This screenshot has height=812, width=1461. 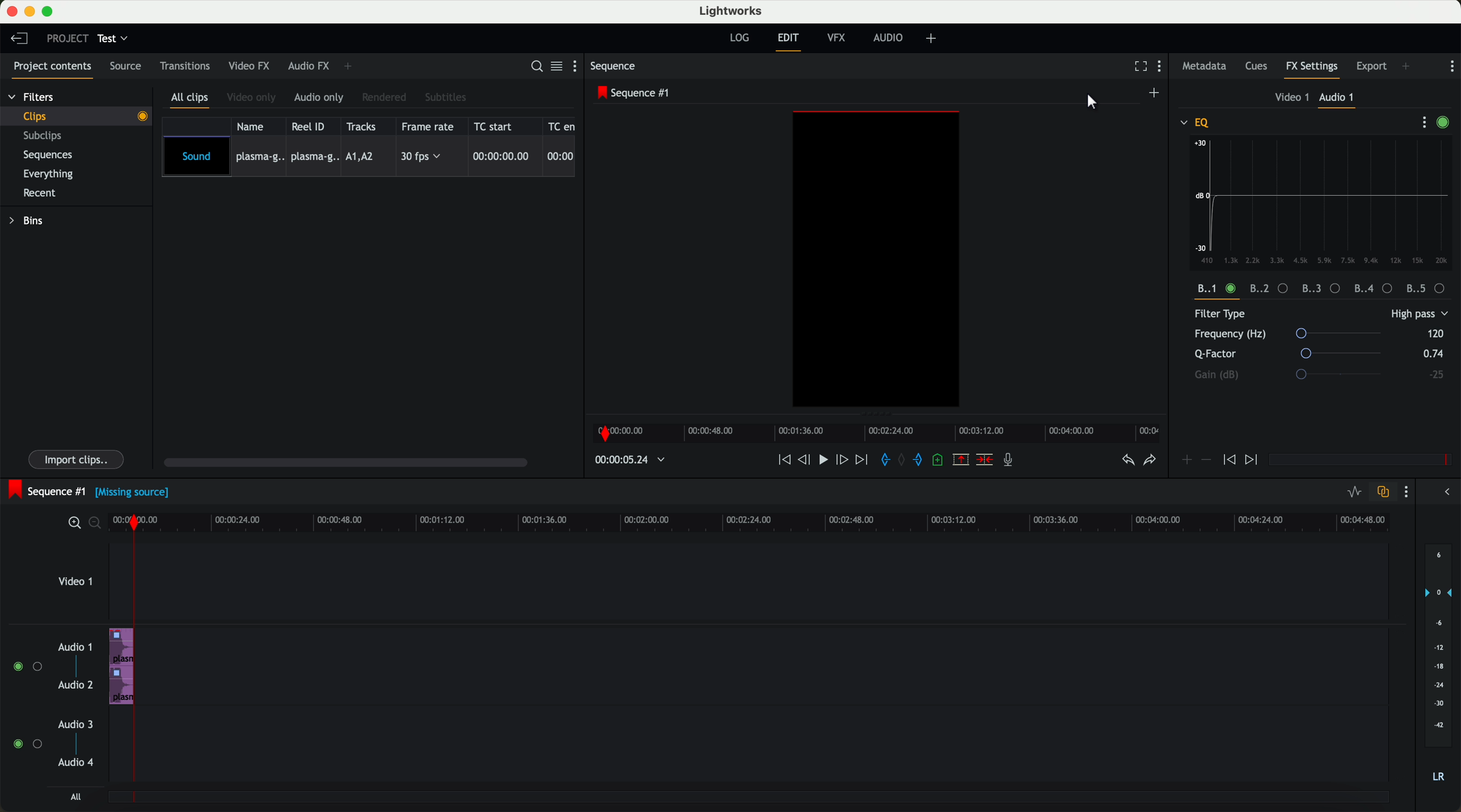 What do you see at coordinates (826, 461) in the screenshot?
I see `play` at bounding box center [826, 461].